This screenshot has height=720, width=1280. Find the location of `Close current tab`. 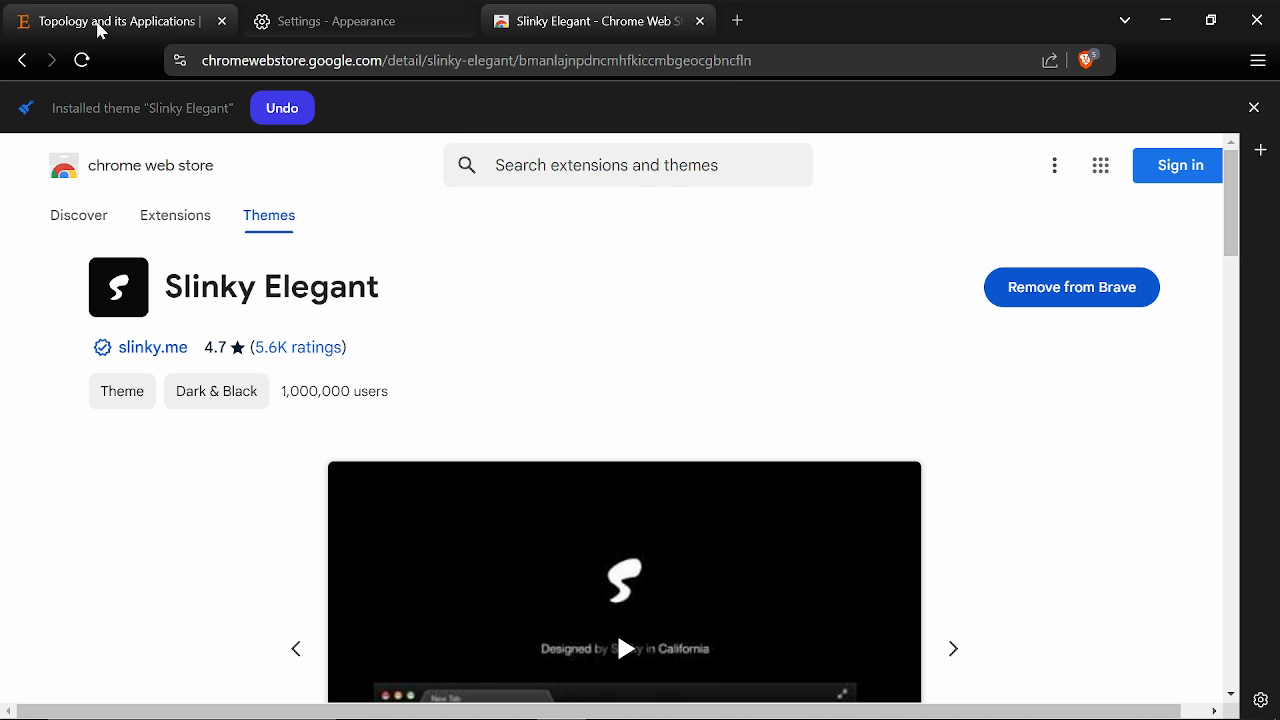

Close current tab is located at coordinates (700, 22).